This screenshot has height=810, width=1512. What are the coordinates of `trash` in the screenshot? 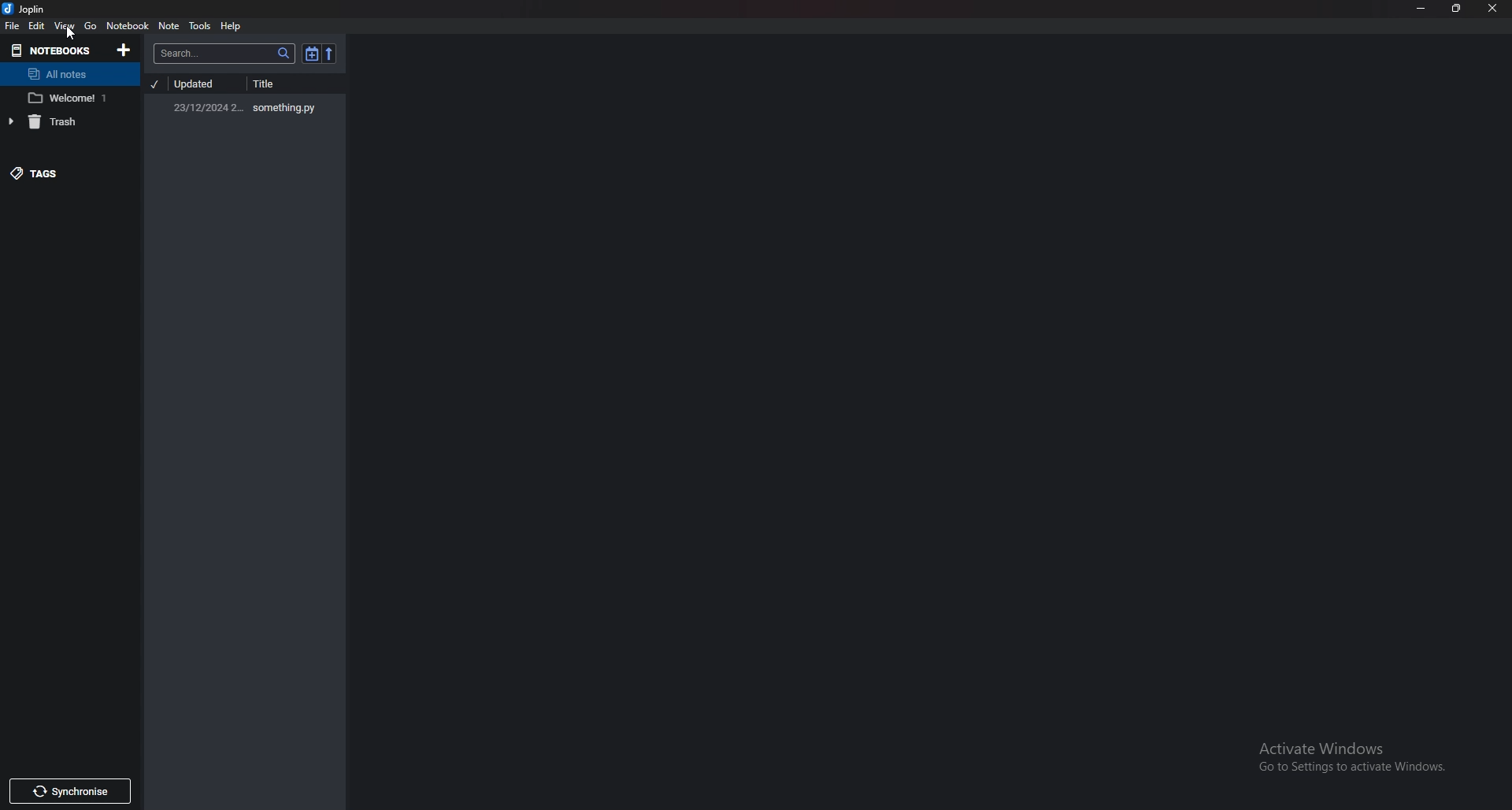 It's located at (63, 121).